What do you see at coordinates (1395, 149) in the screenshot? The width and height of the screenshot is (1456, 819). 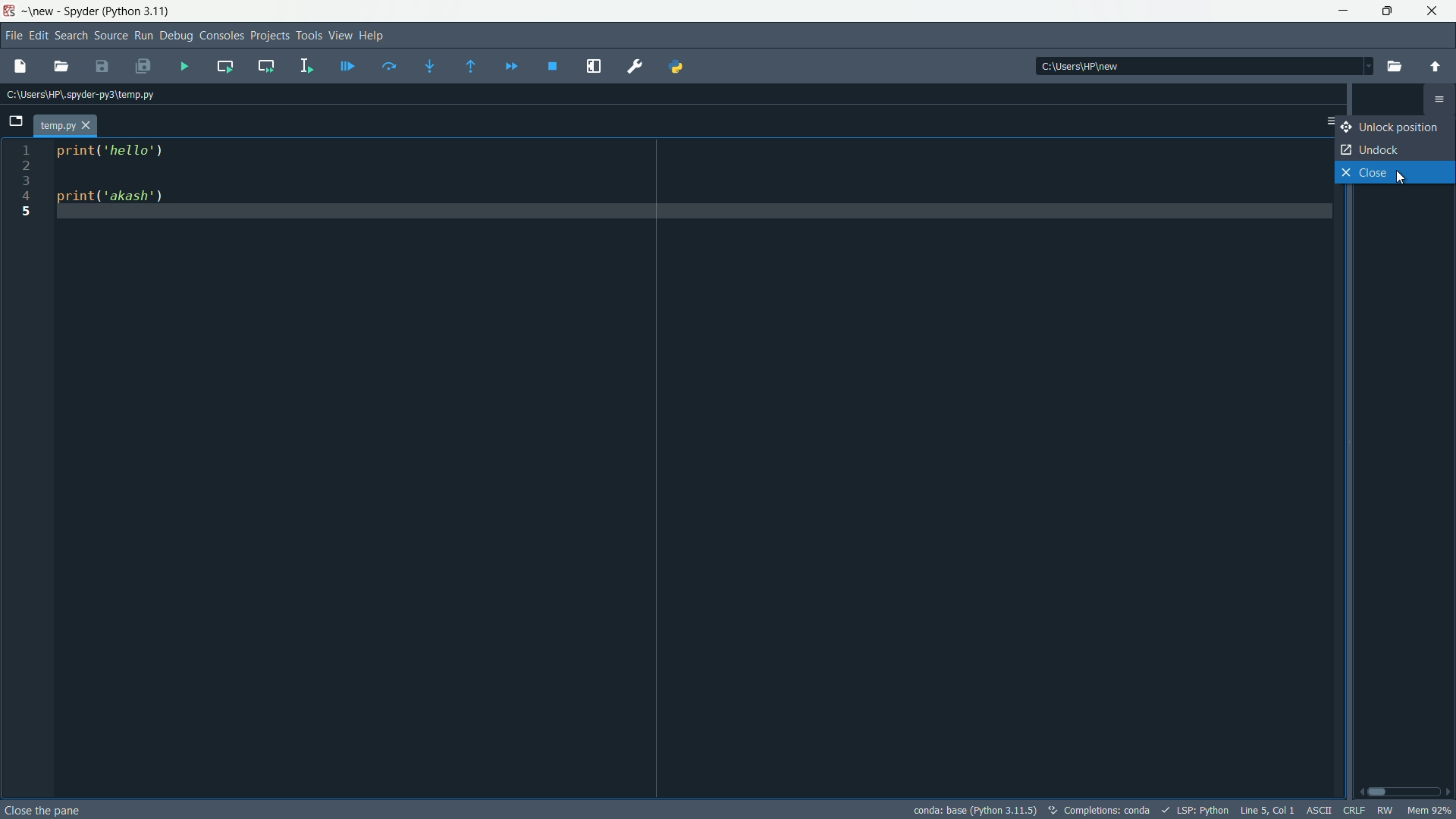 I see `undock` at bounding box center [1395, 149].